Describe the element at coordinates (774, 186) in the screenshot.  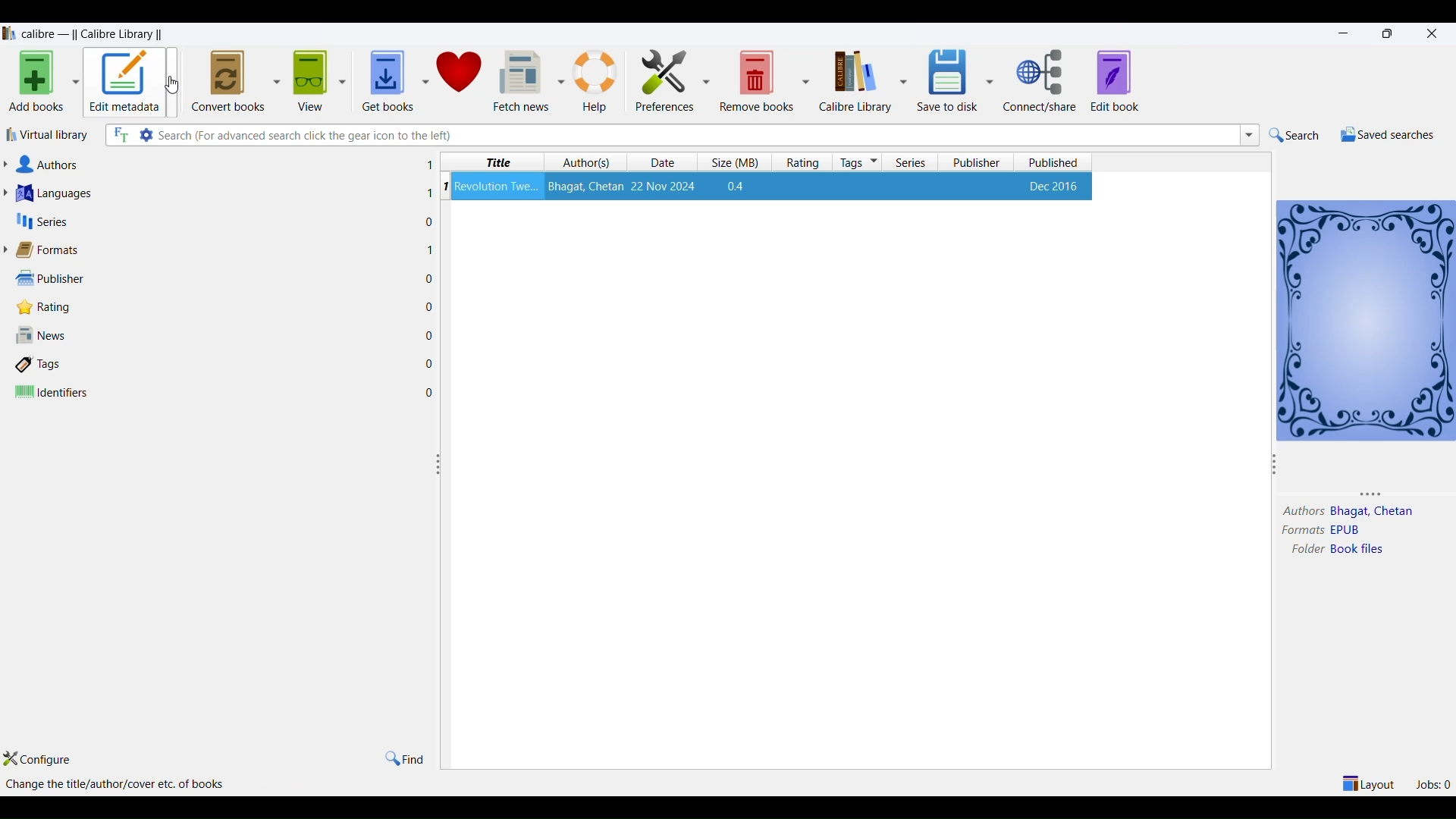
I see `book details` at that location.